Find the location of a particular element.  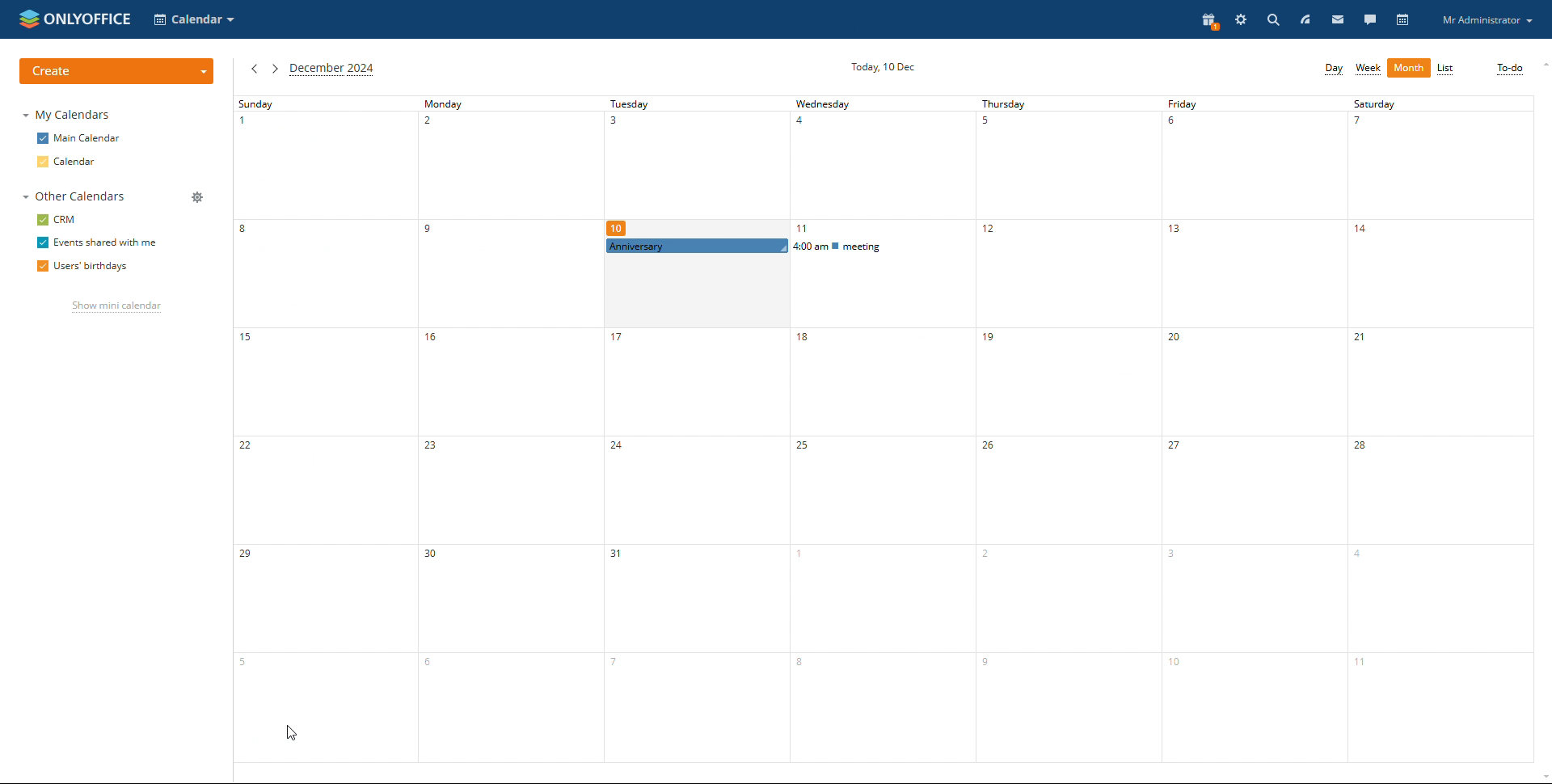

scheduled events is located at coordinates (789, 247).